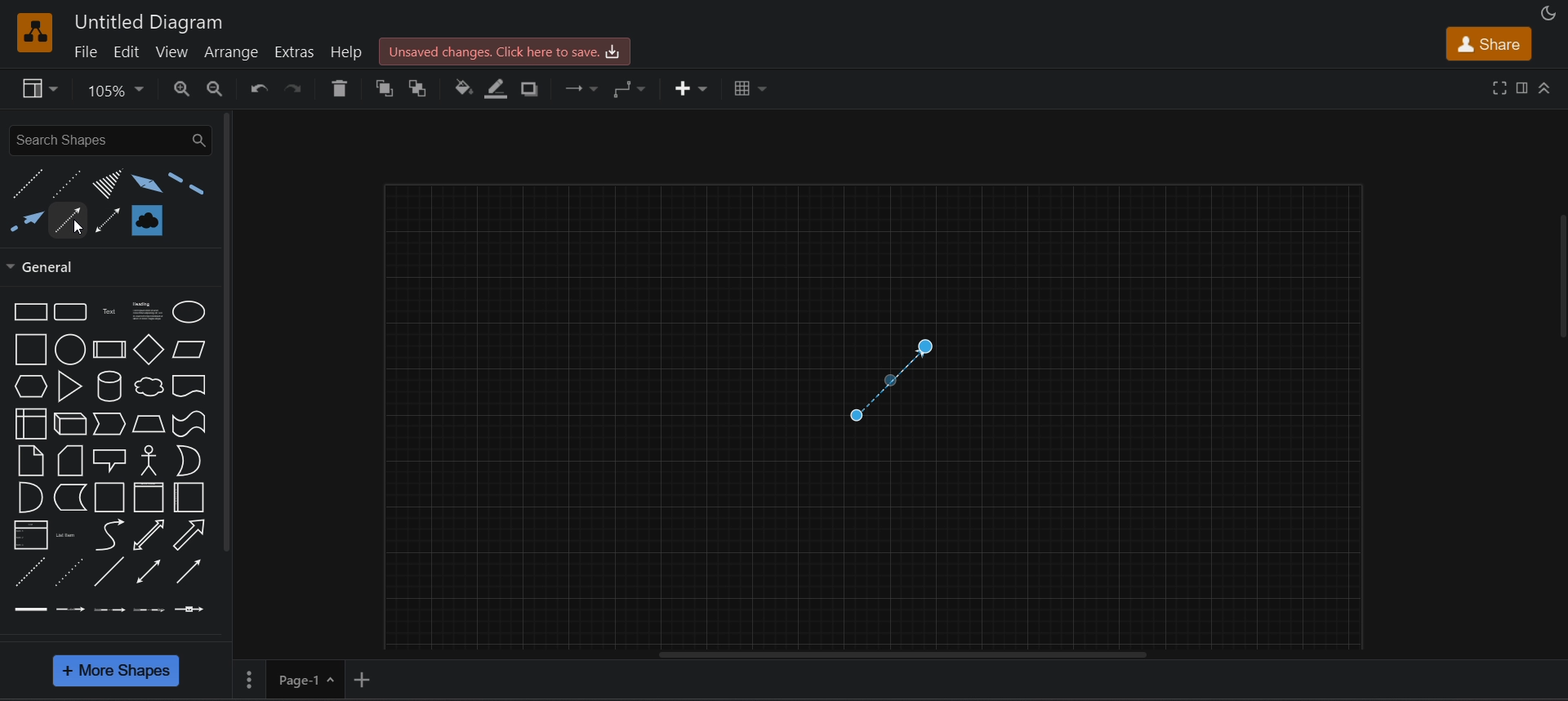  Describe the element at coordinates (174, 51) in the screenshot. I see `view` at that location.